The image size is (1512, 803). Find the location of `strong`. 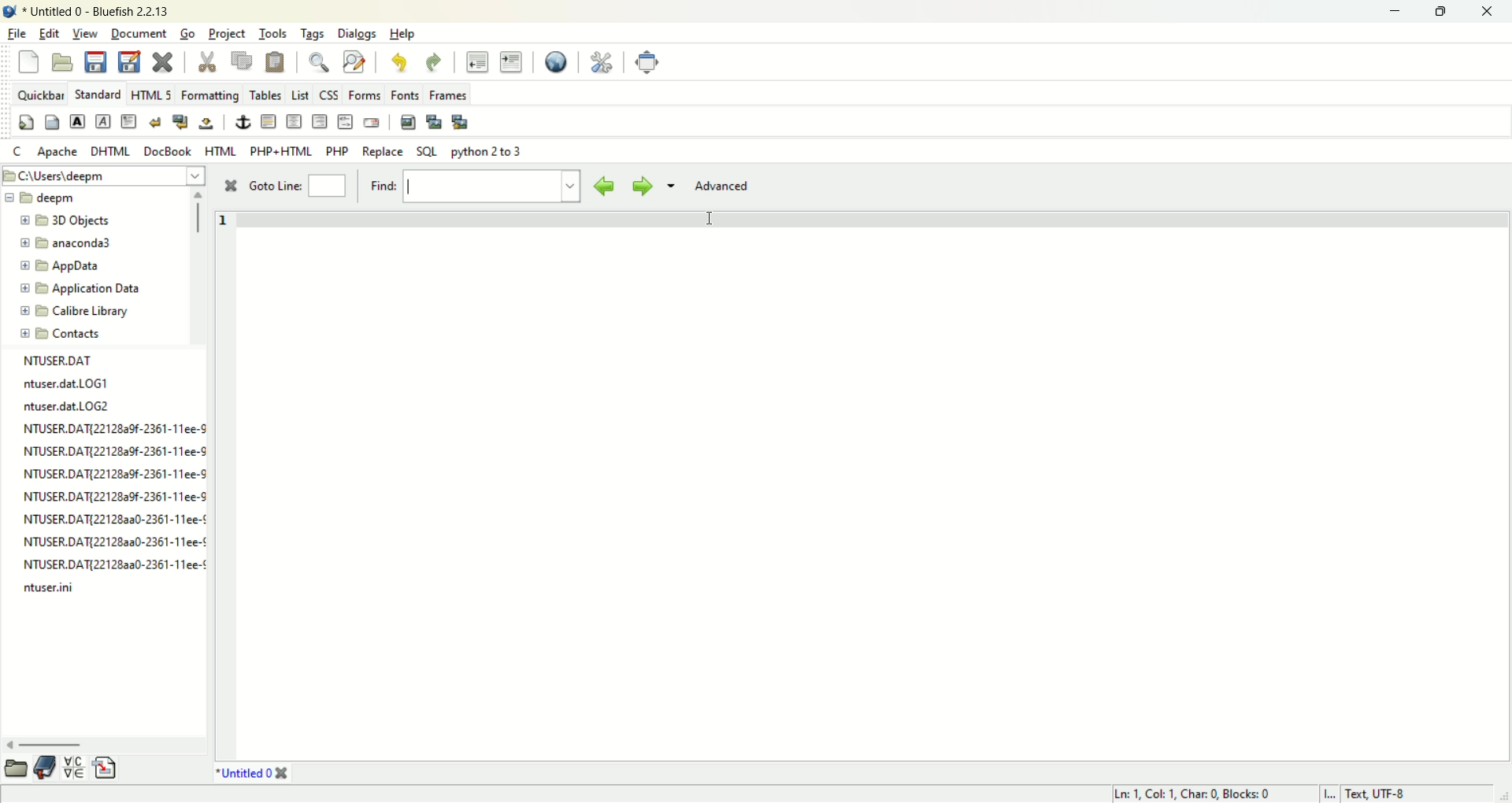

strong is located at coordinates (76, 121).